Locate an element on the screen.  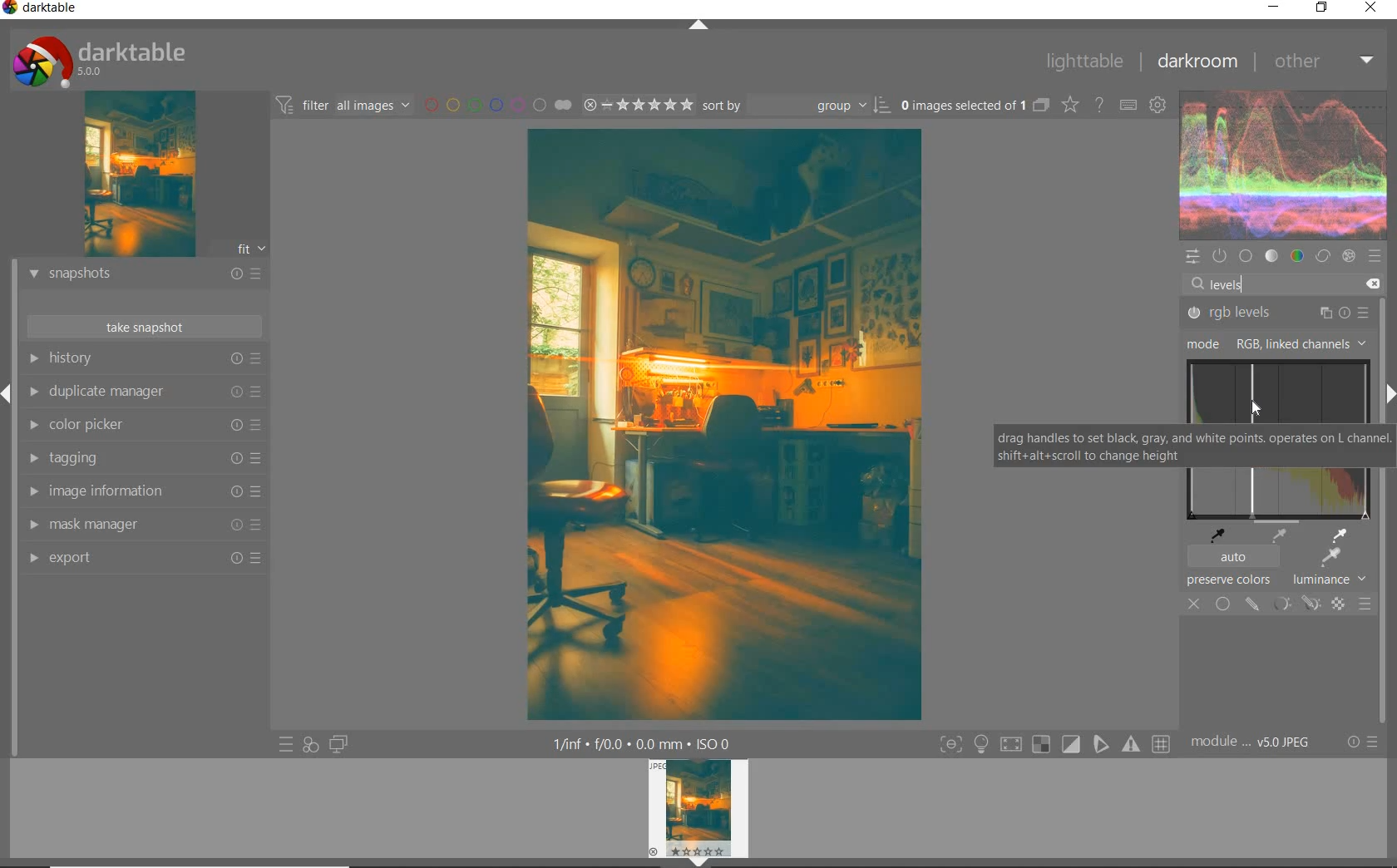
image preview is located at coordinates (136, 177).